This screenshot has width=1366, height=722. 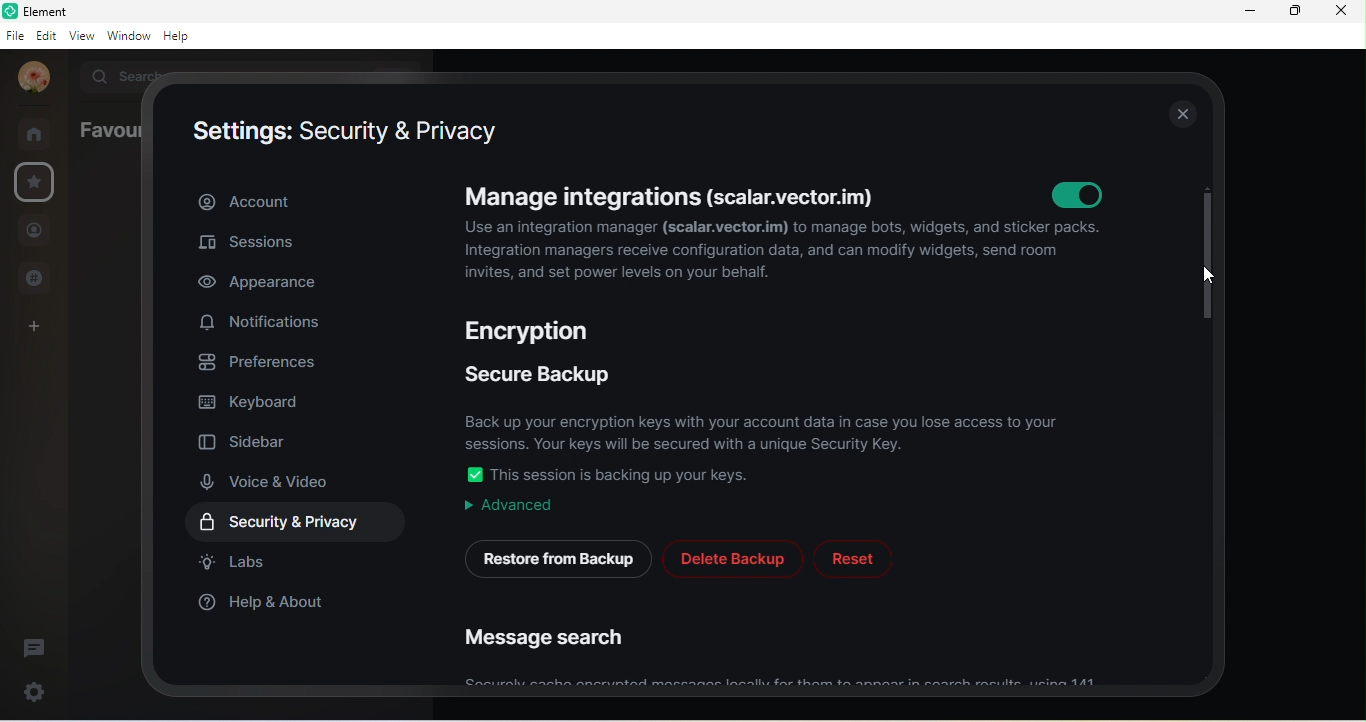 I want to click on help, so click(x=181, y=36).